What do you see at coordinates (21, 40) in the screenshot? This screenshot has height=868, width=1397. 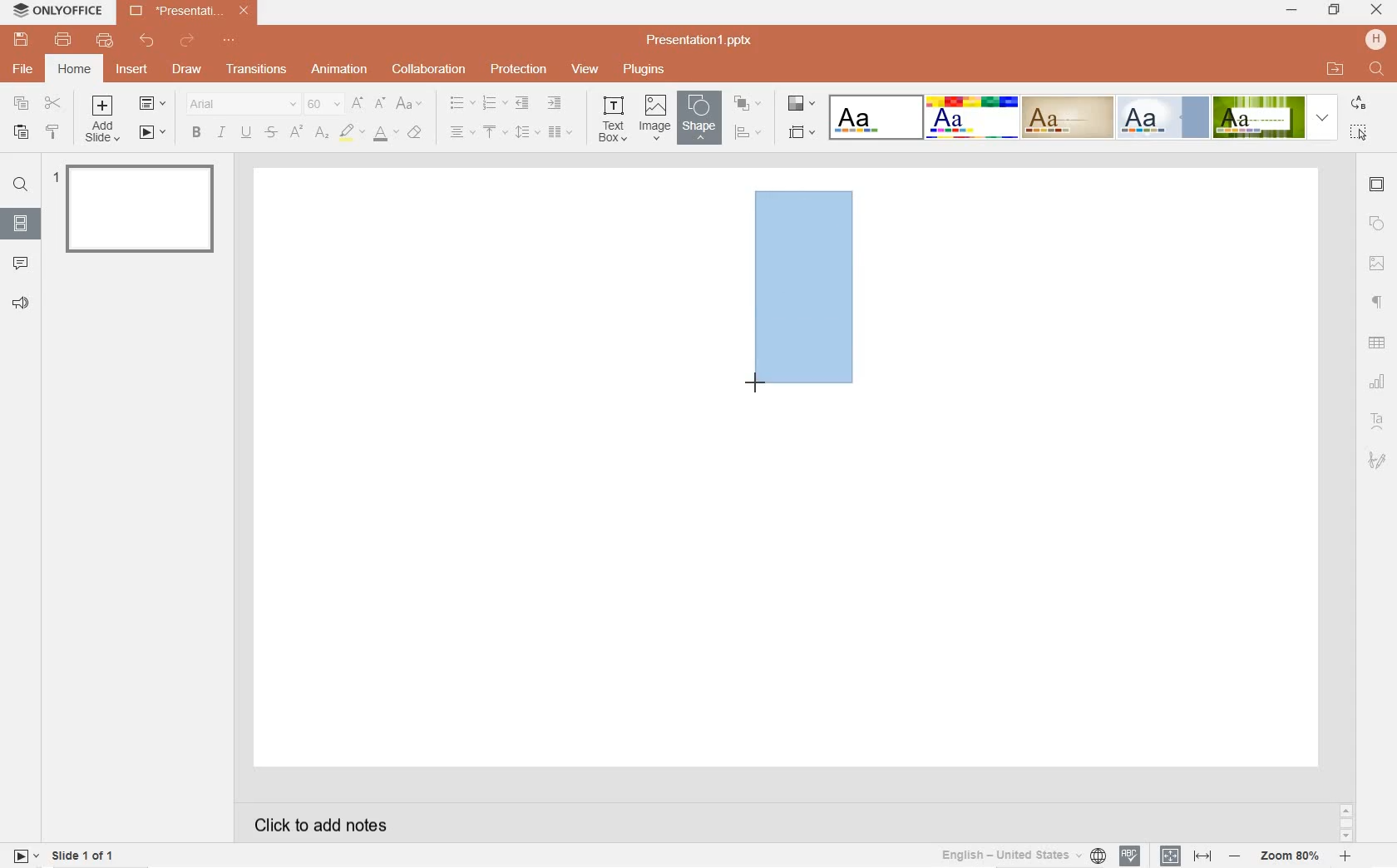 I see `save` at bounding box center [21, 40].